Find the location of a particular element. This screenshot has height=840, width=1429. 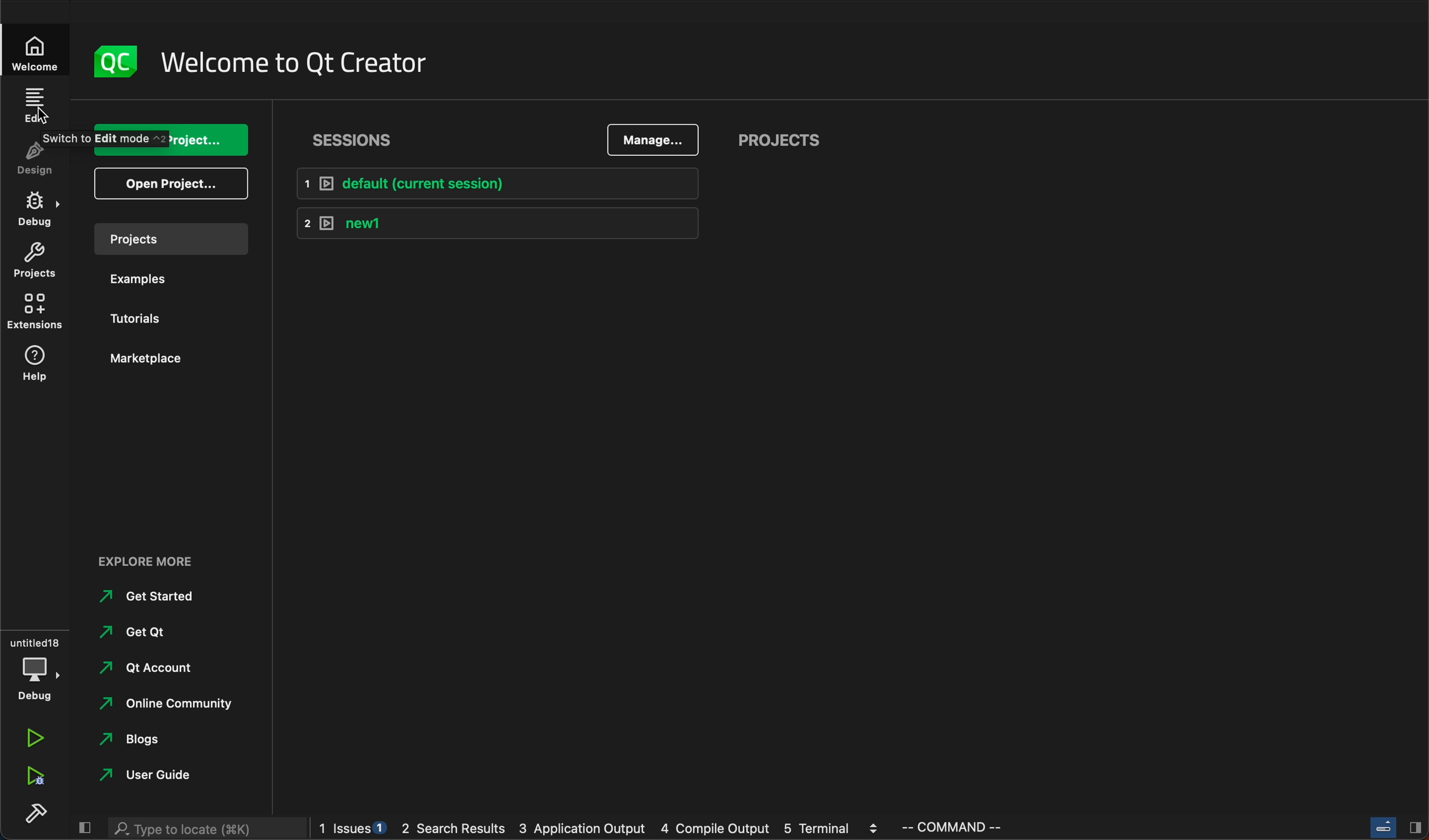

run debug is located at coordinates (35, 774).